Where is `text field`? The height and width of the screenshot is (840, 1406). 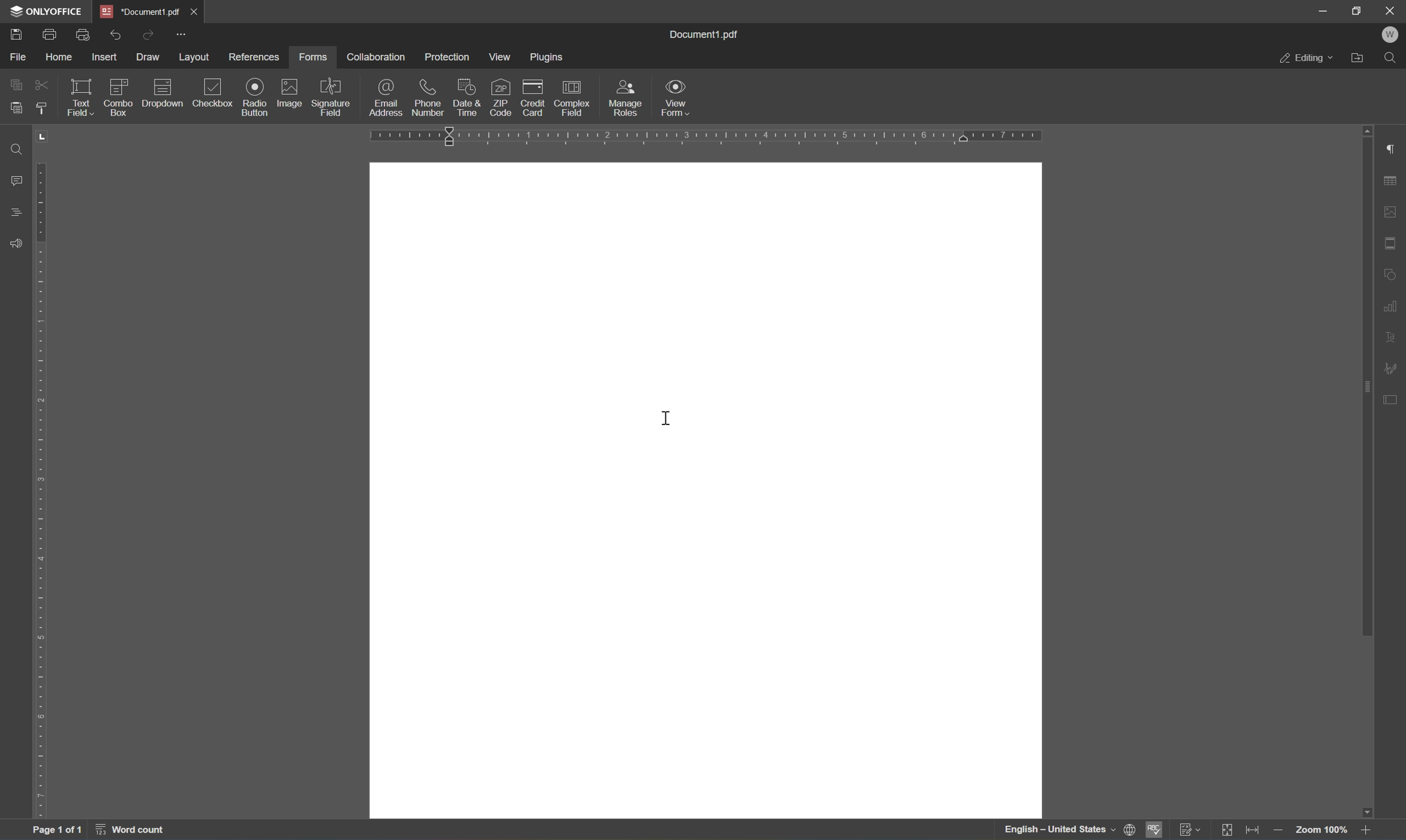
text field is located at coordinates (78, 96).